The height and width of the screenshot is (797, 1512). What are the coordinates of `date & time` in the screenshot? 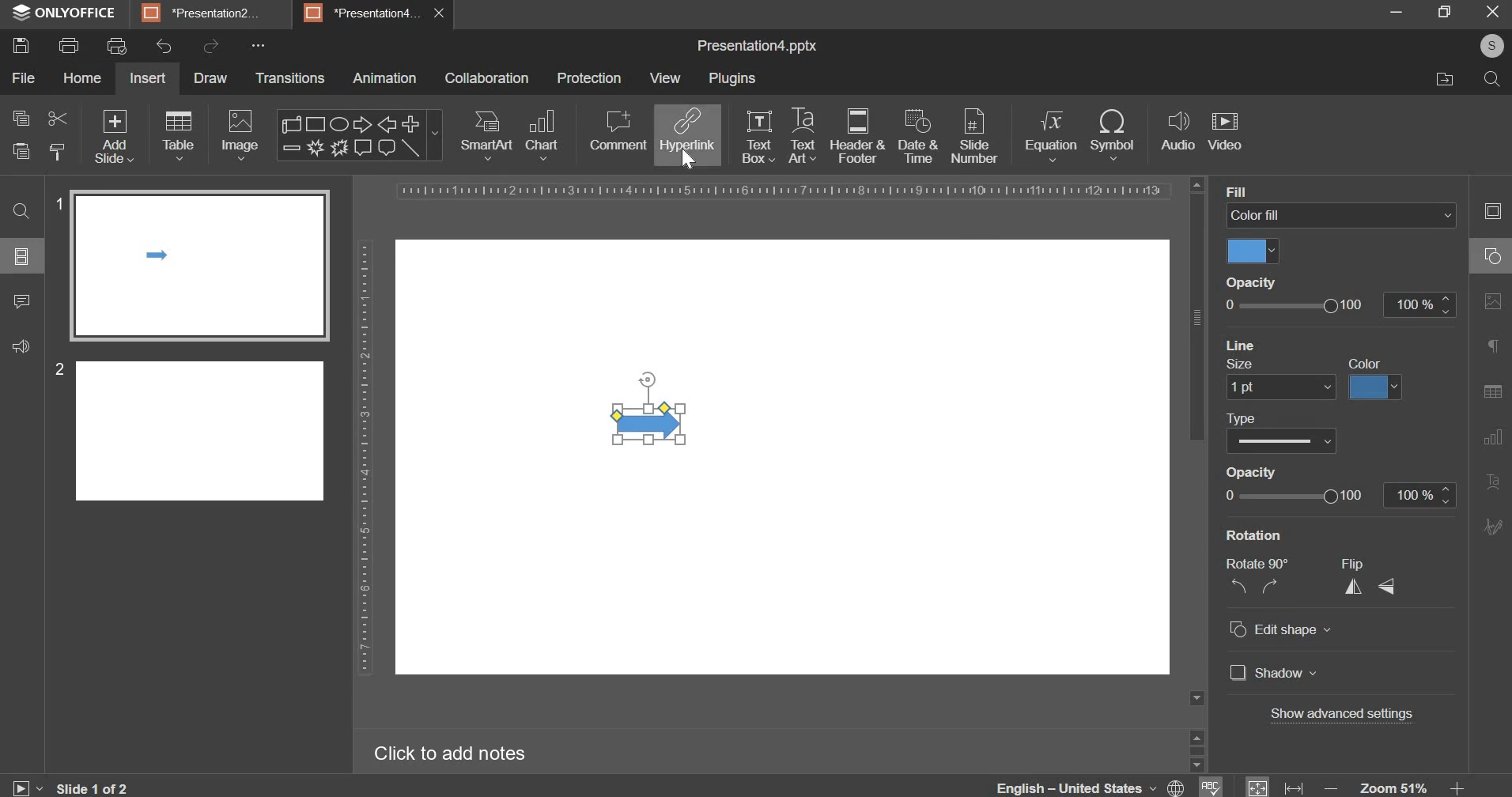 It's located at (920, 138).